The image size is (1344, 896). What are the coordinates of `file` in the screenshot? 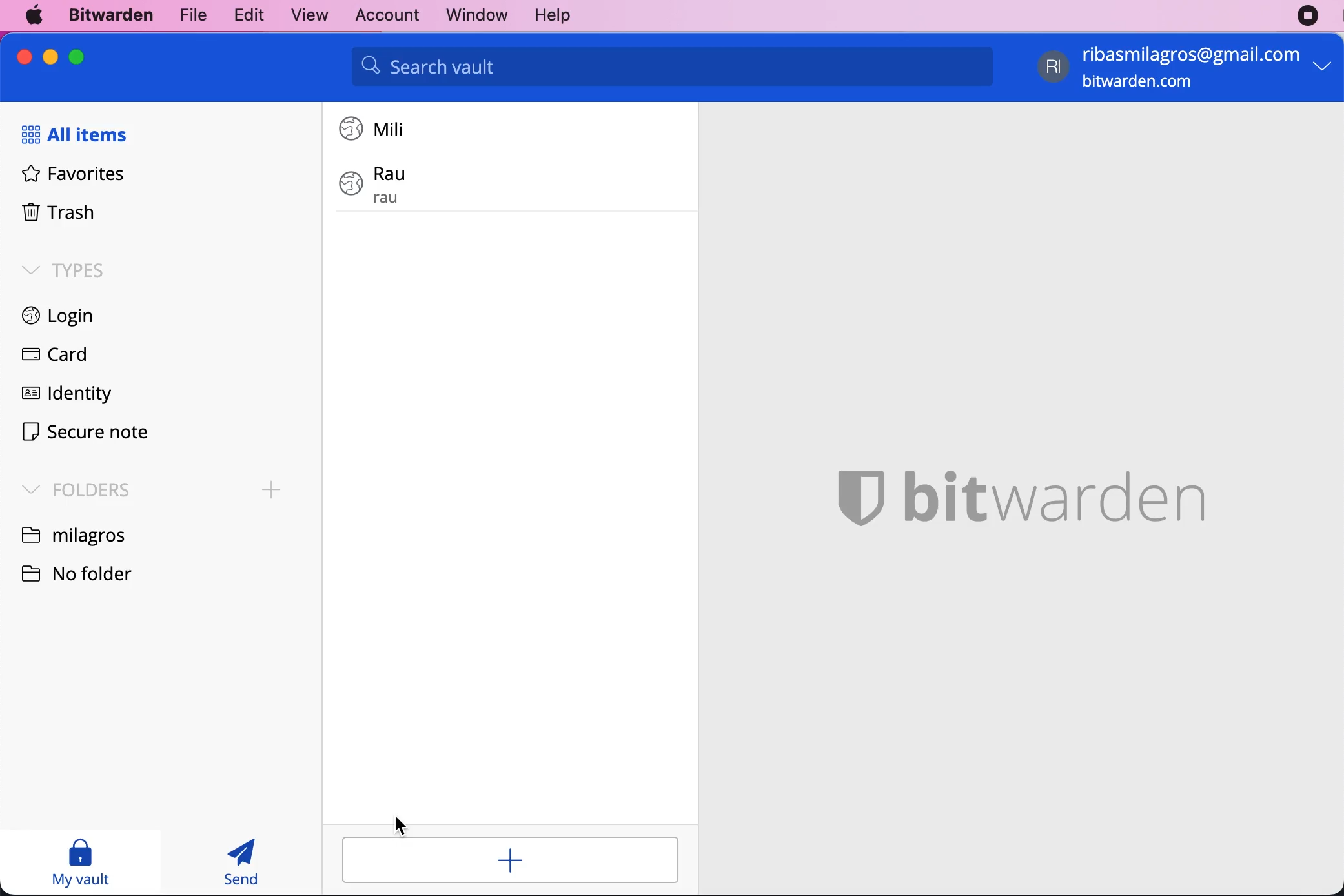 It's located at (190, 14).